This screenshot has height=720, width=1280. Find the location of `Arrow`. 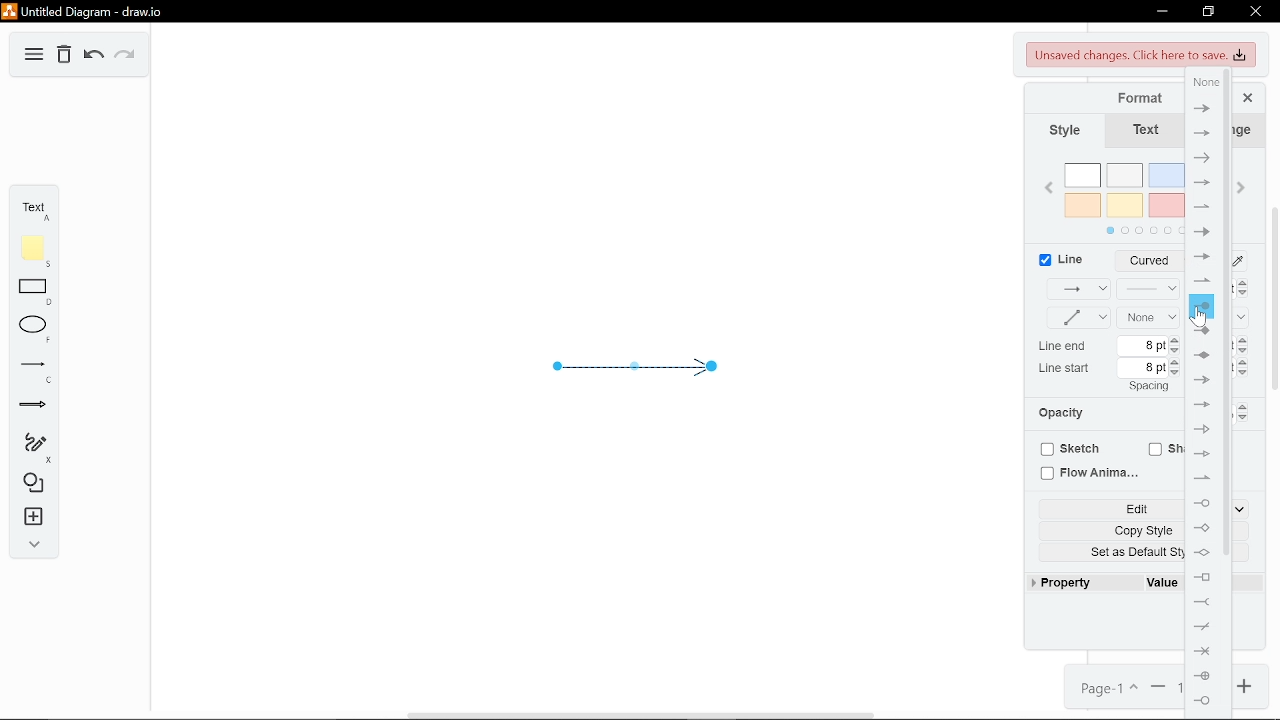

Arrow is located at coordinates (37, 409).